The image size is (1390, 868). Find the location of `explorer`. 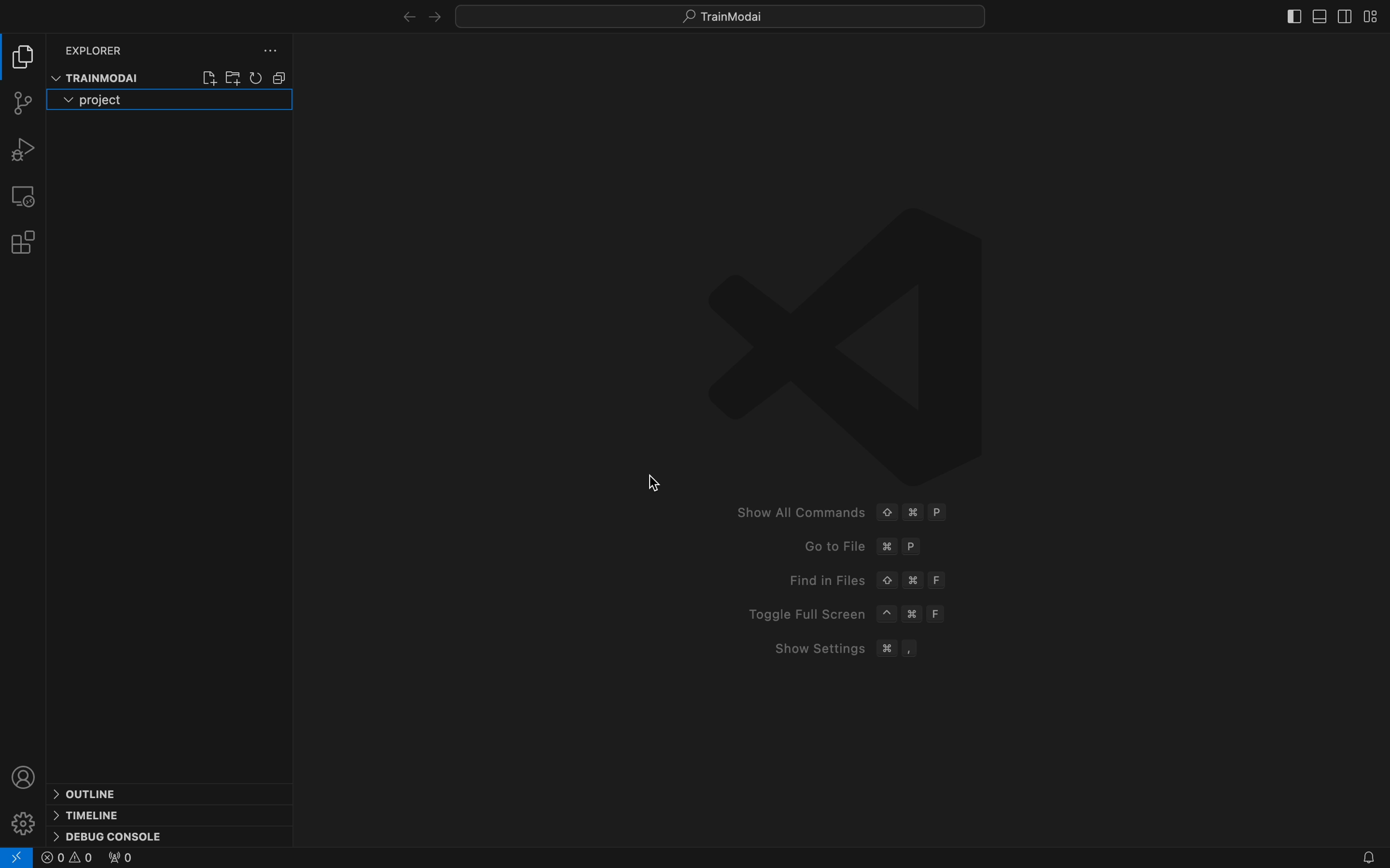

explorer is located at coordinates (98, 48).